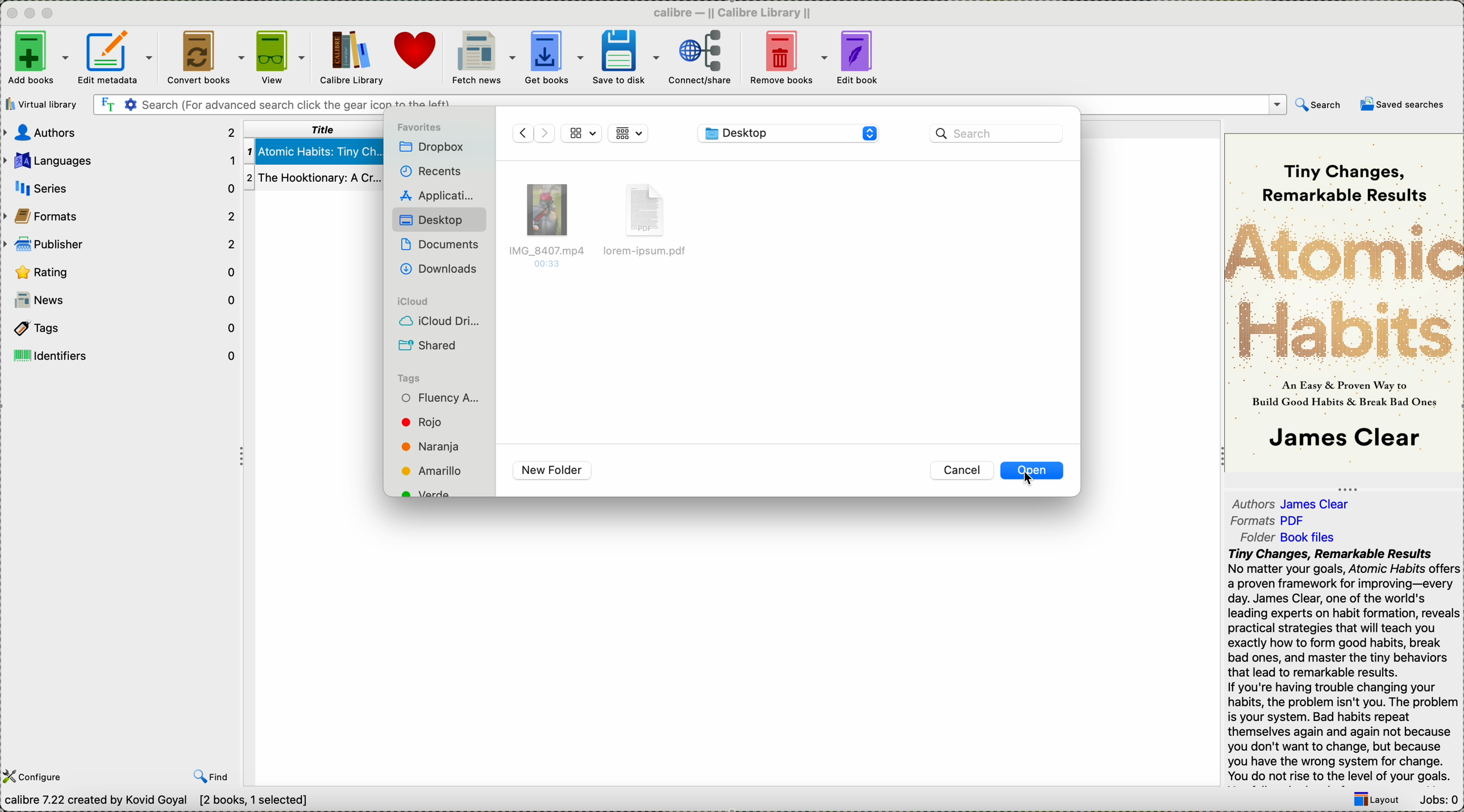 This screenshot has width=1464, height=812. Describe the element at coordinates (444, 248) in the screenshot. I see `documents` at that location.